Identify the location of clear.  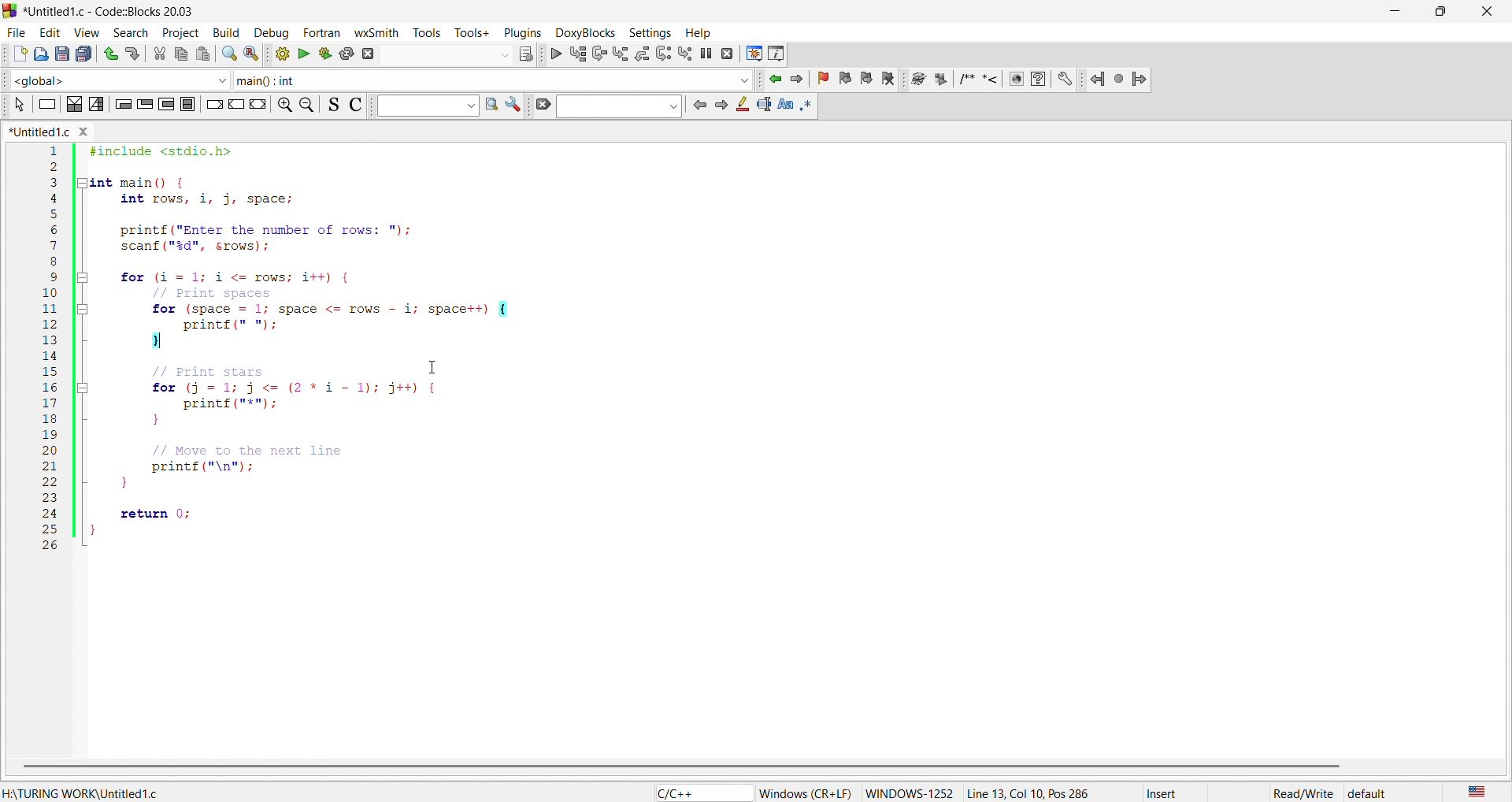
(540, 105).